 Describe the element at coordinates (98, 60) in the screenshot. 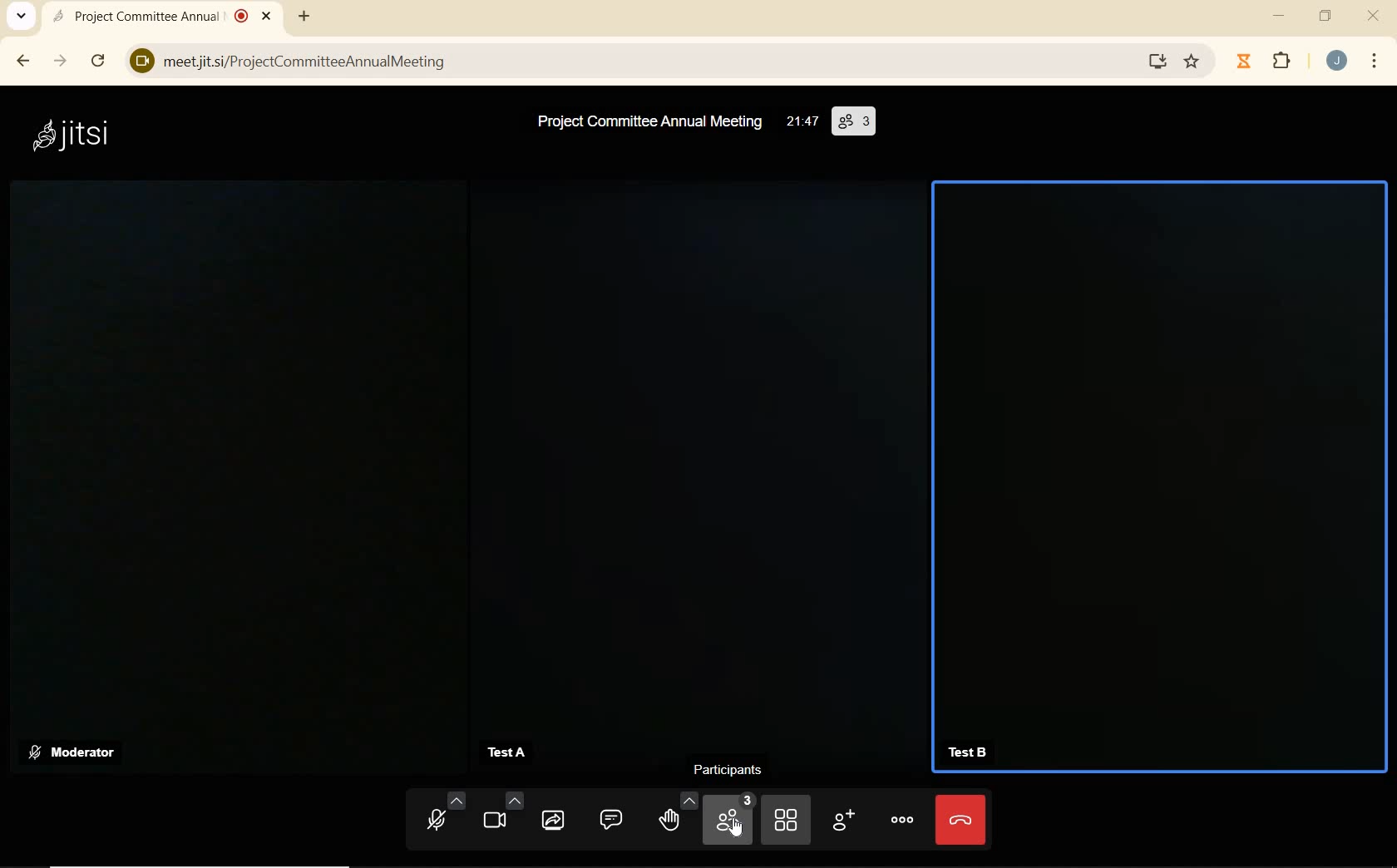

I see `RELOAD` at that location.